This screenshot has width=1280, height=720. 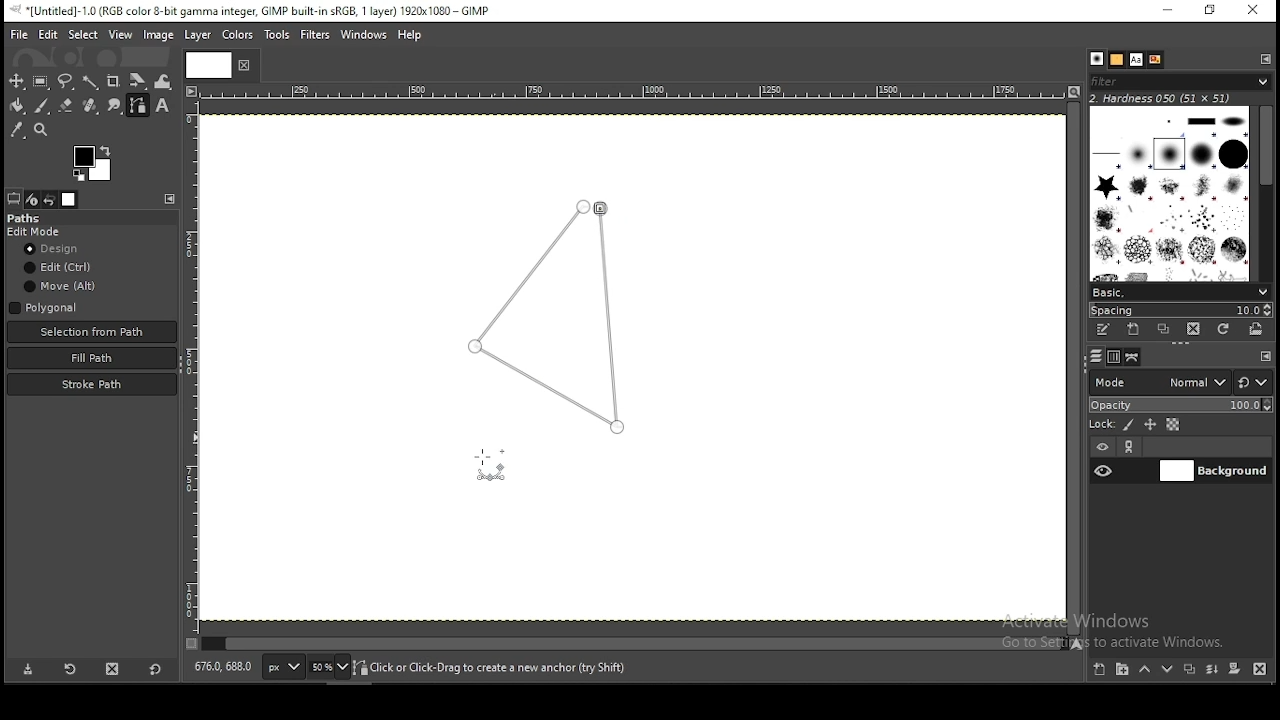 I want to click on save tool preset, so click(x=25, y=670).